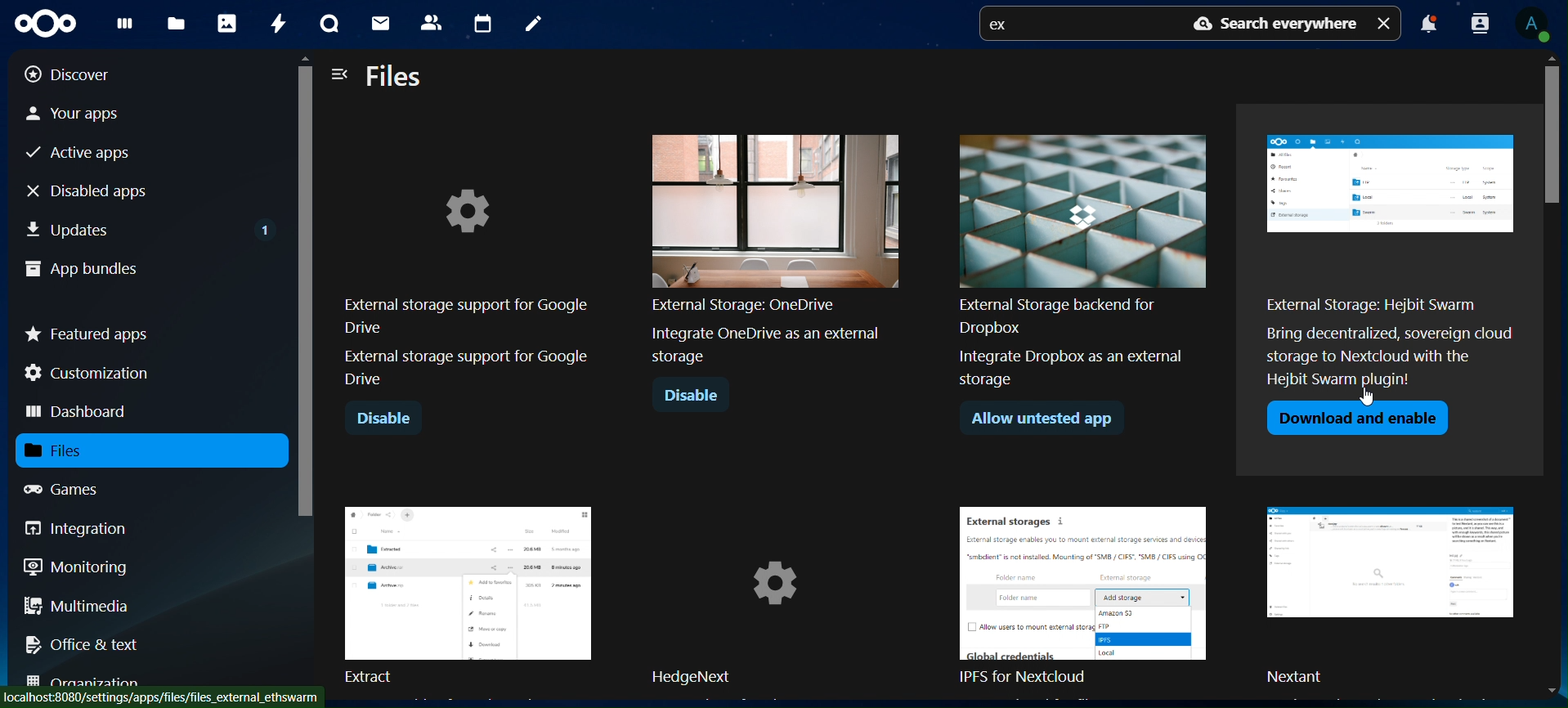 This screenshot has height=708, width=1568. Describe the element at coordinates (1428, 26) in the screenshot. I see `notifications` at that location.